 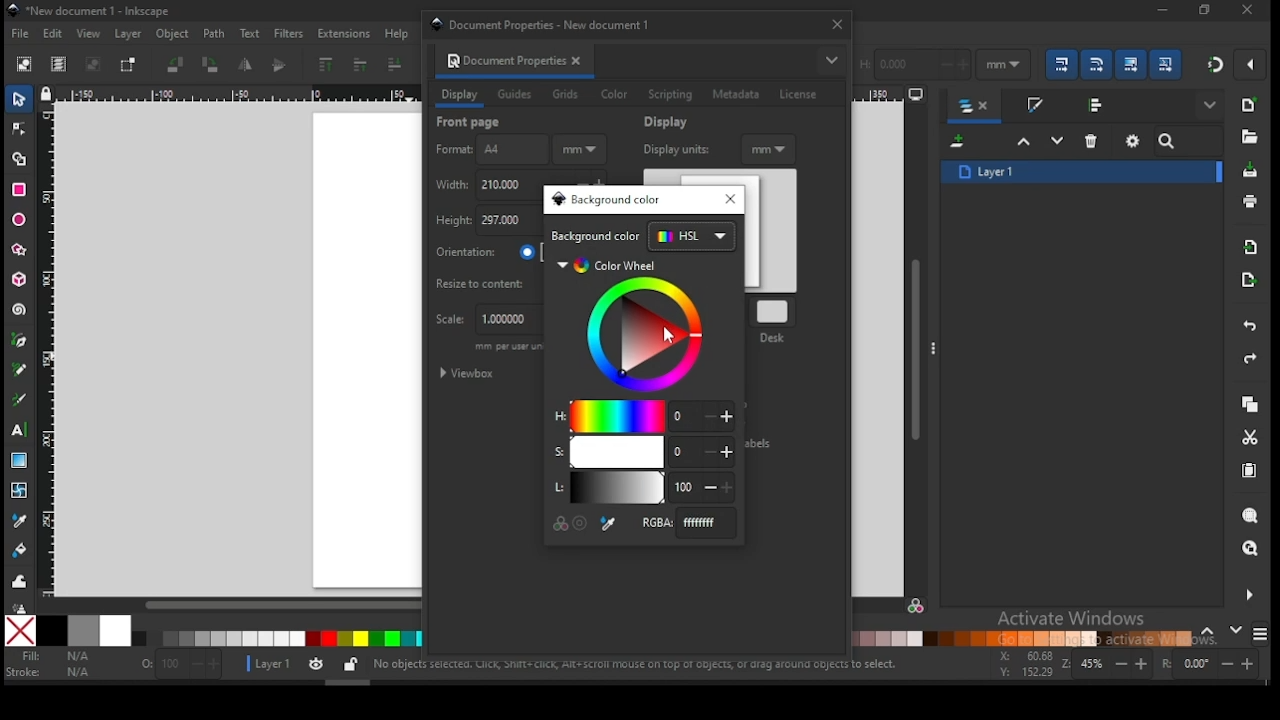 I want to click on restore, so click(x=1248, y=10).